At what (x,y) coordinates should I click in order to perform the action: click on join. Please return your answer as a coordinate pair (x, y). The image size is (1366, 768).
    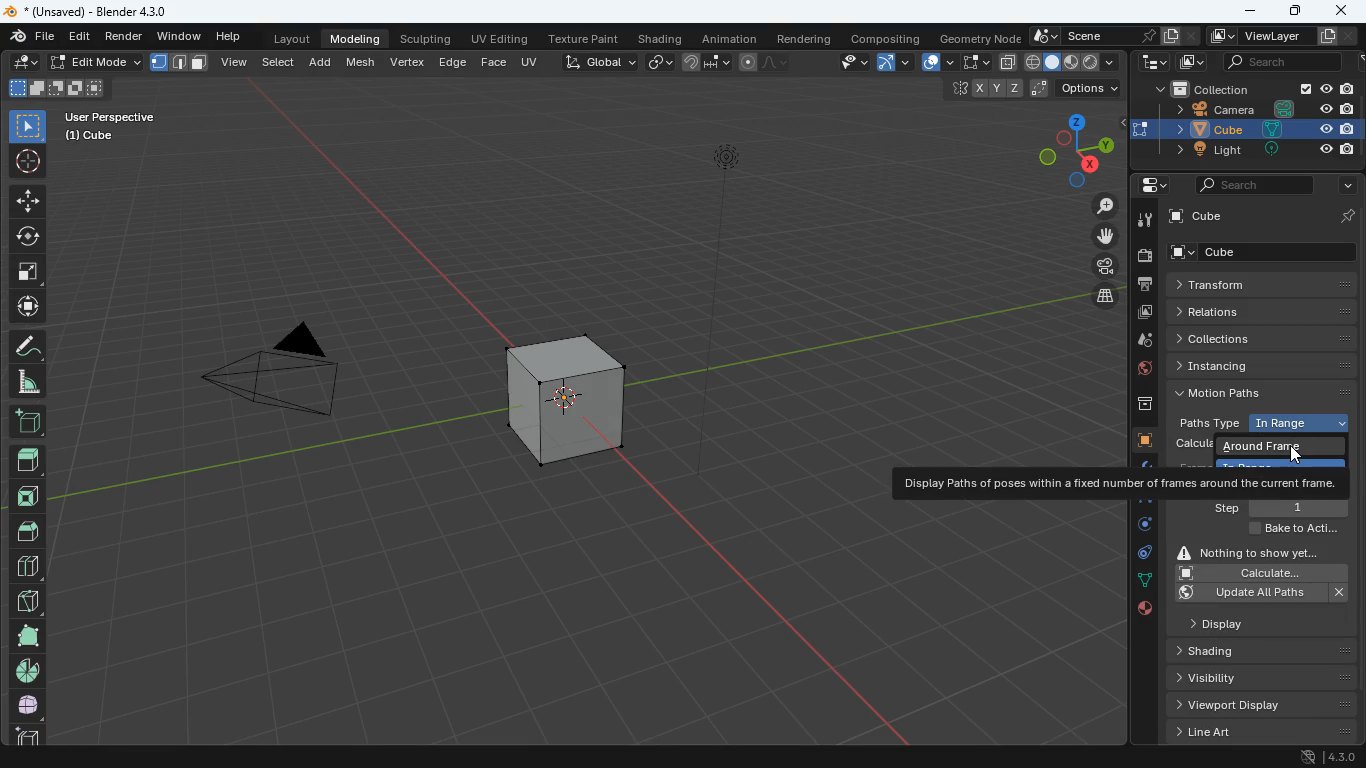
    Looking at the image, I should click on (707, 63).